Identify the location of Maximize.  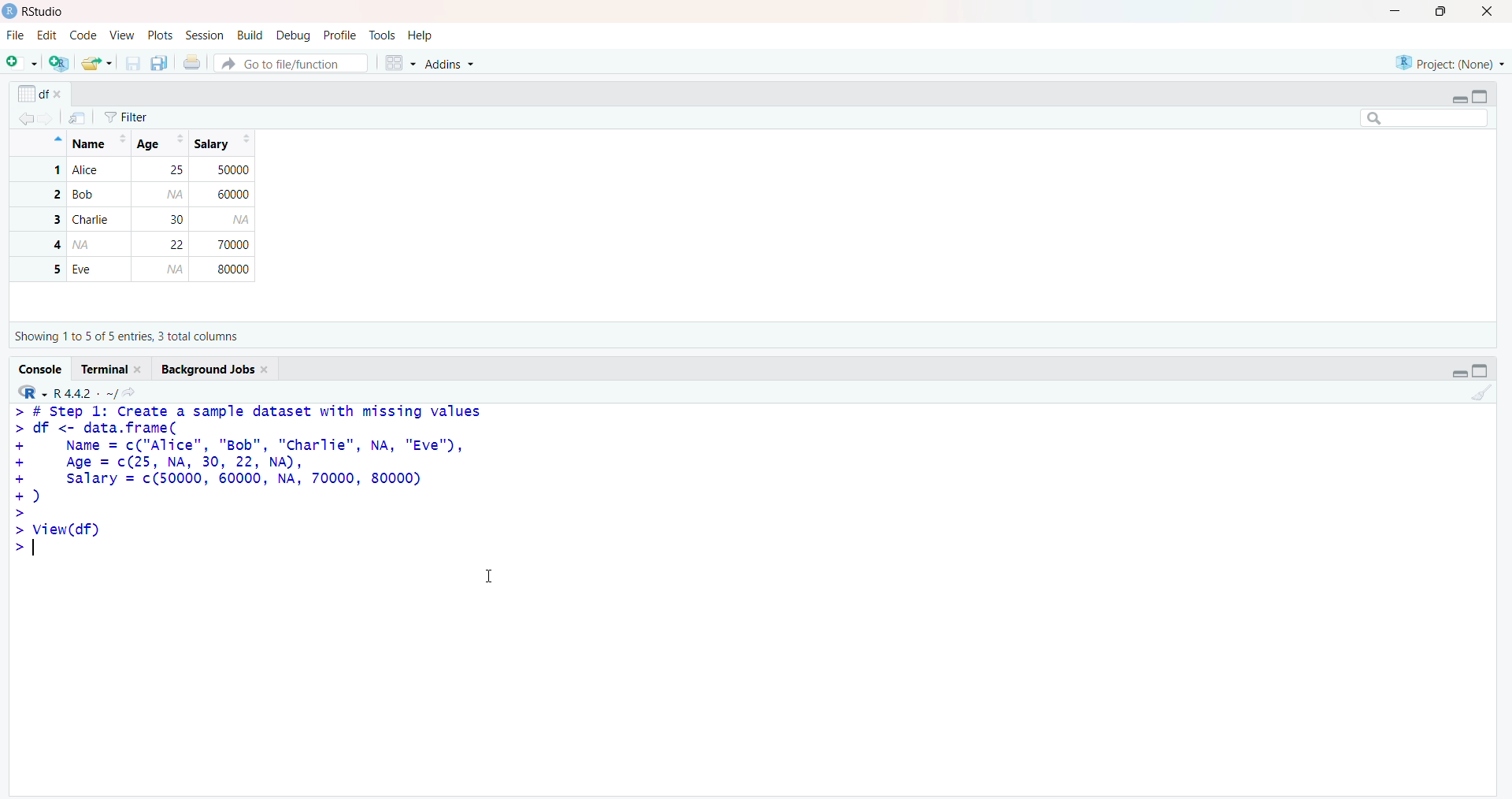
(1480, 372).